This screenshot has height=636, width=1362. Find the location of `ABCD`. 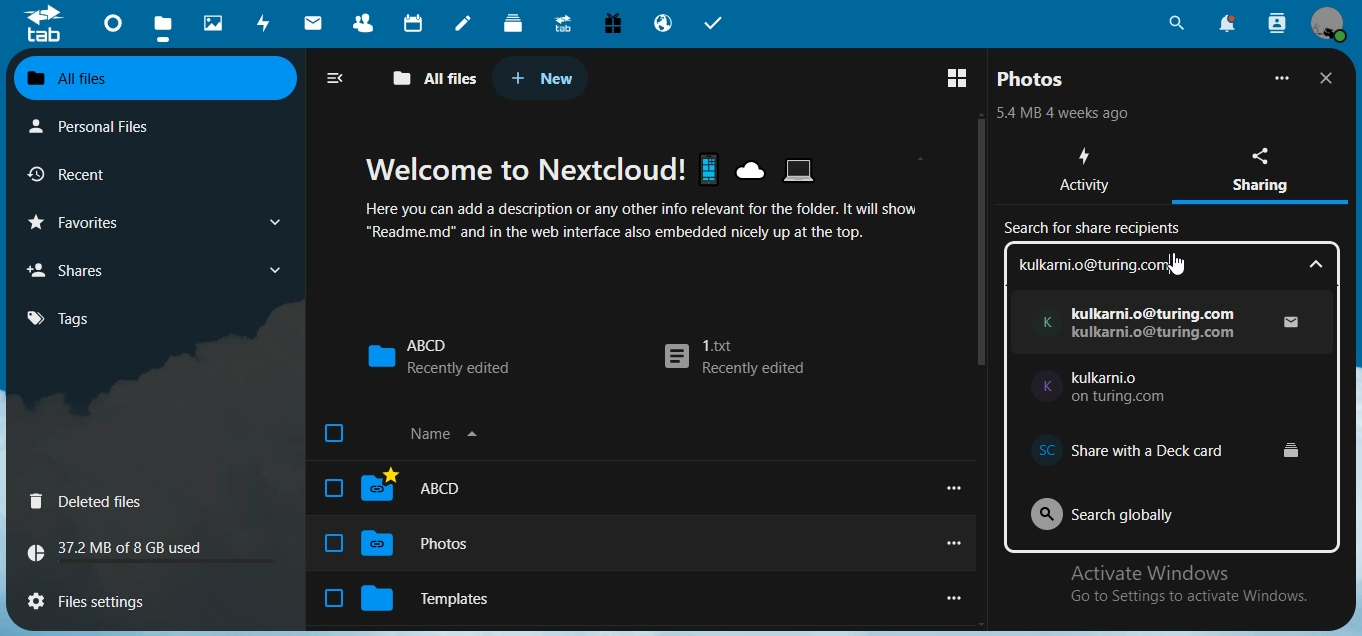

ABCD is located at coordinates (438, 356).